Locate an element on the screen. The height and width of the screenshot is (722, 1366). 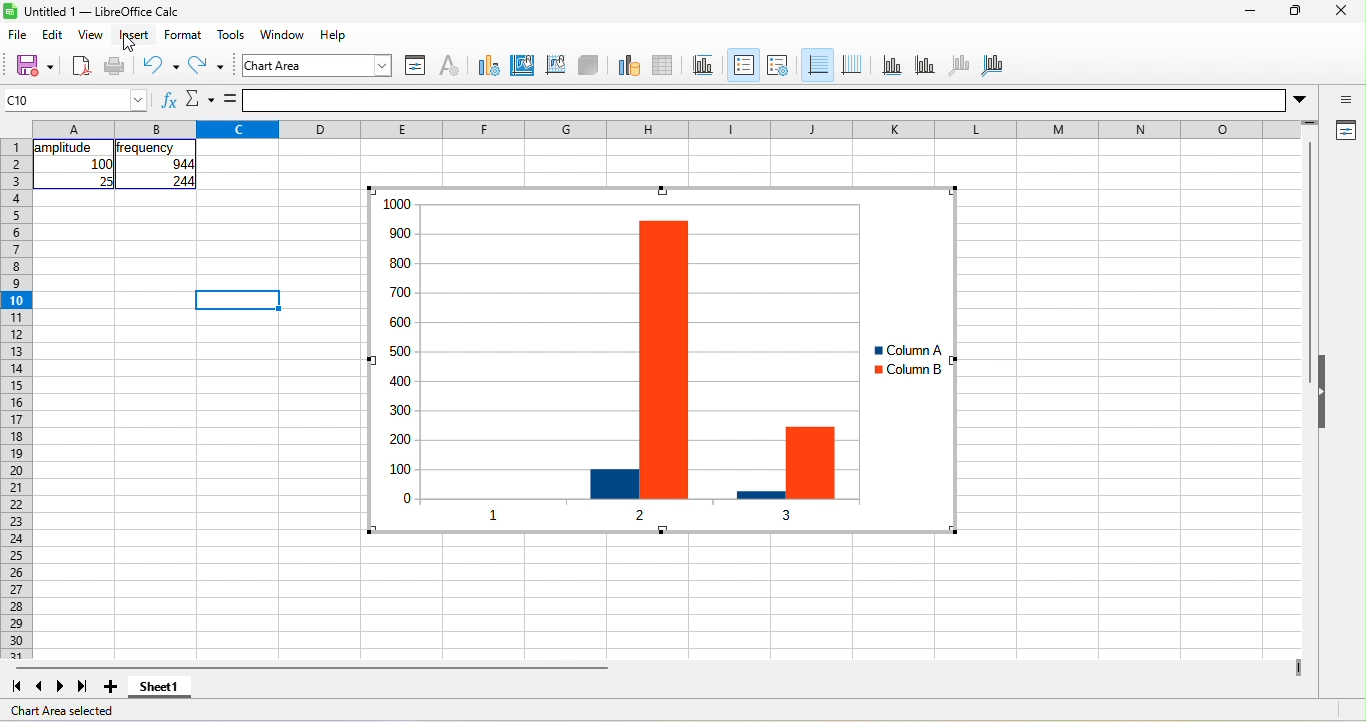
3d view is located at coordinates (589, 64).